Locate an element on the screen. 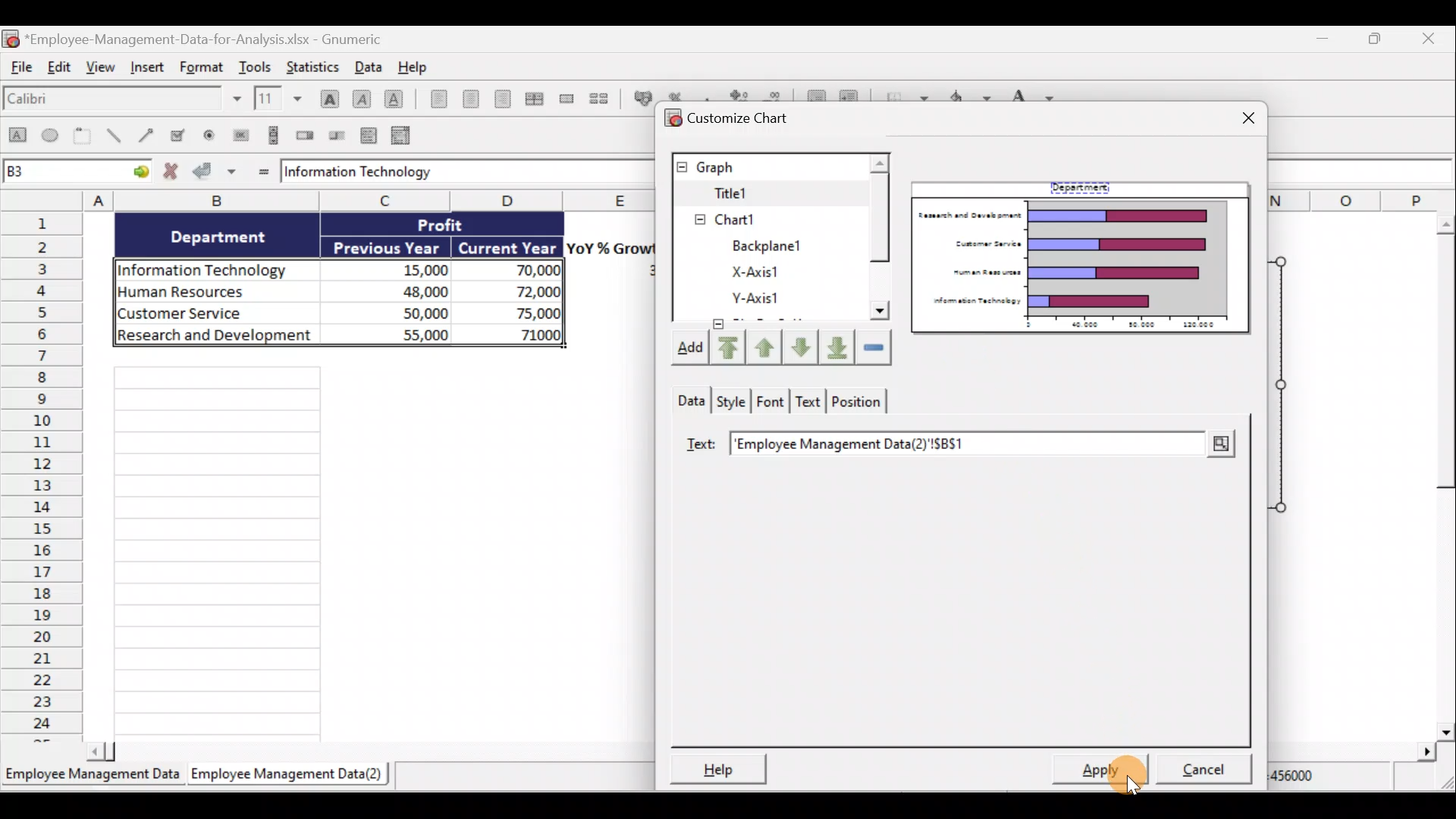 This screenshot has height=819, width=1456. Research and Development is located at coordinates (215, 339).